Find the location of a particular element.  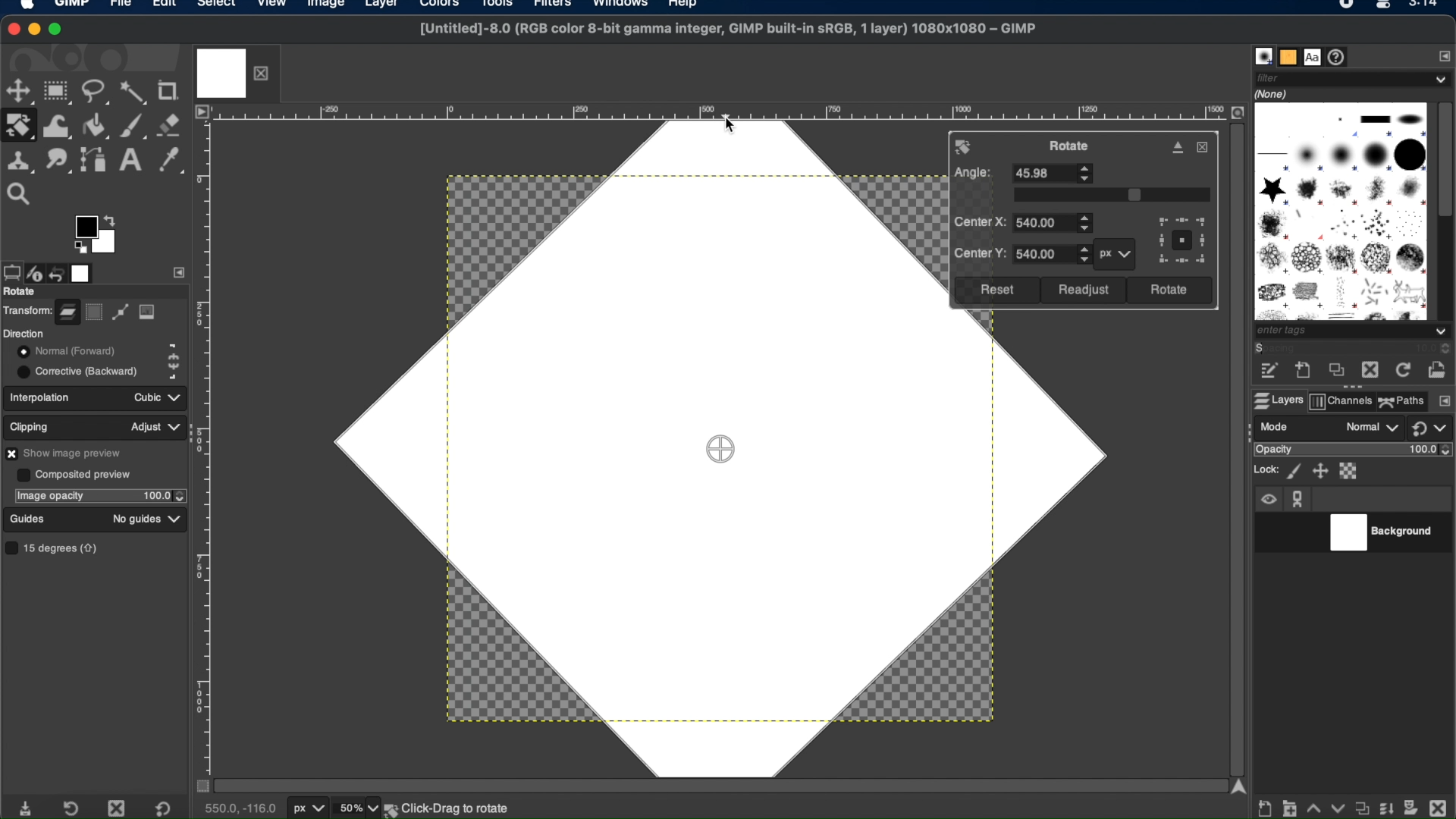

refresh brushes is located at coordinates (1401, 371).